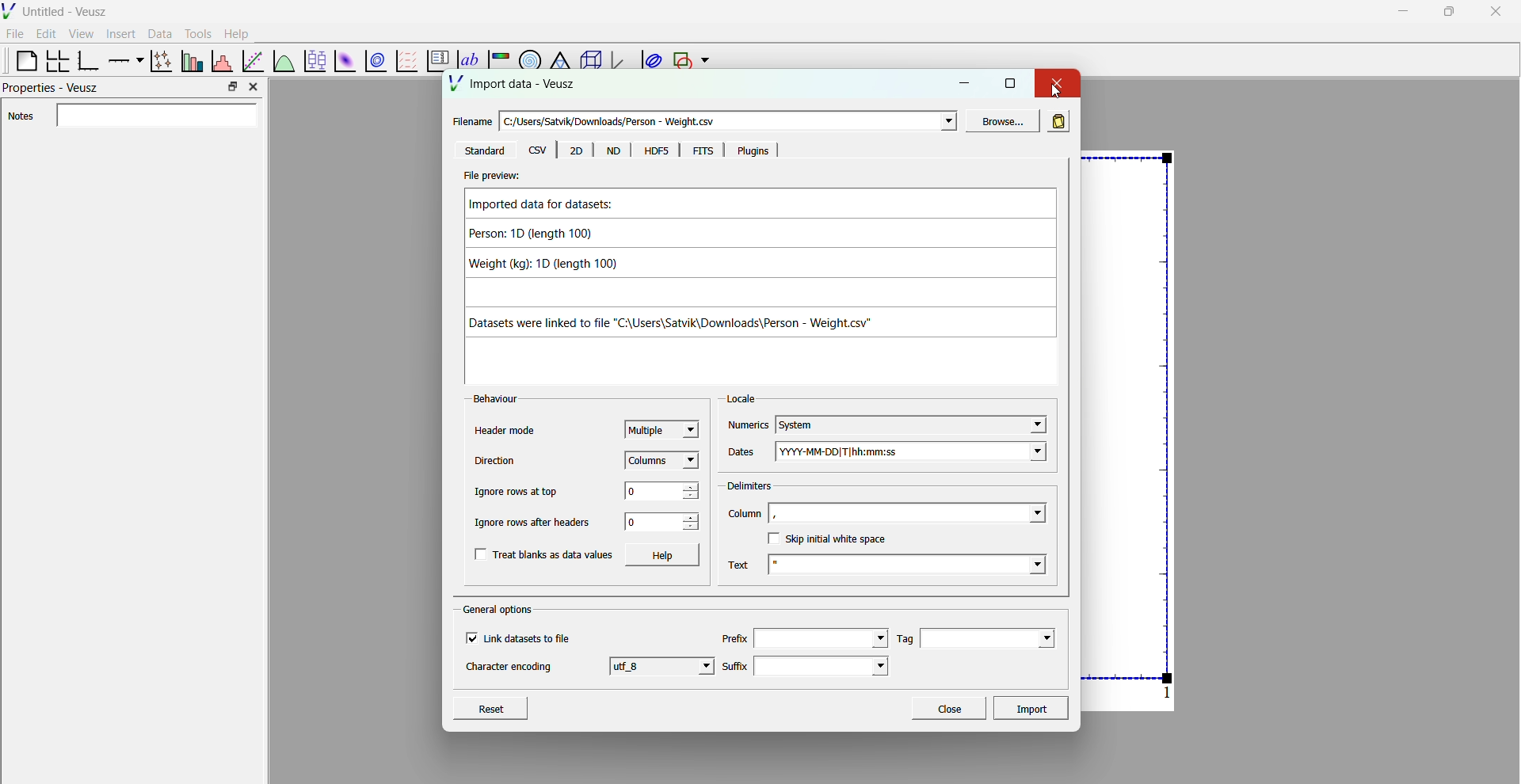 This screenshot has height=784, width=1521. What do you see at coordinates (342, 61) in the screenshot?
I see `plot 2d dataset as an image` at bounding box center [342, 61].